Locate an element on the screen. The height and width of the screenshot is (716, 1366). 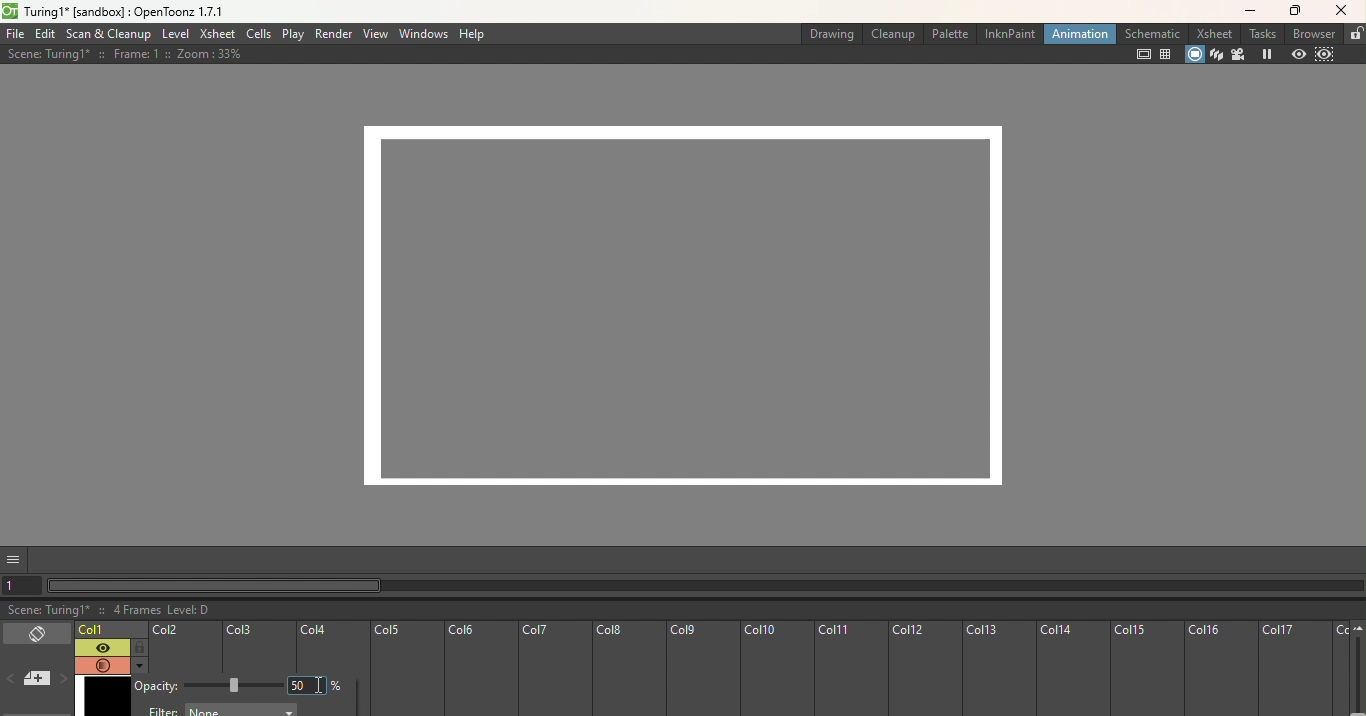
Col13 is located at coordinates (998, 670).